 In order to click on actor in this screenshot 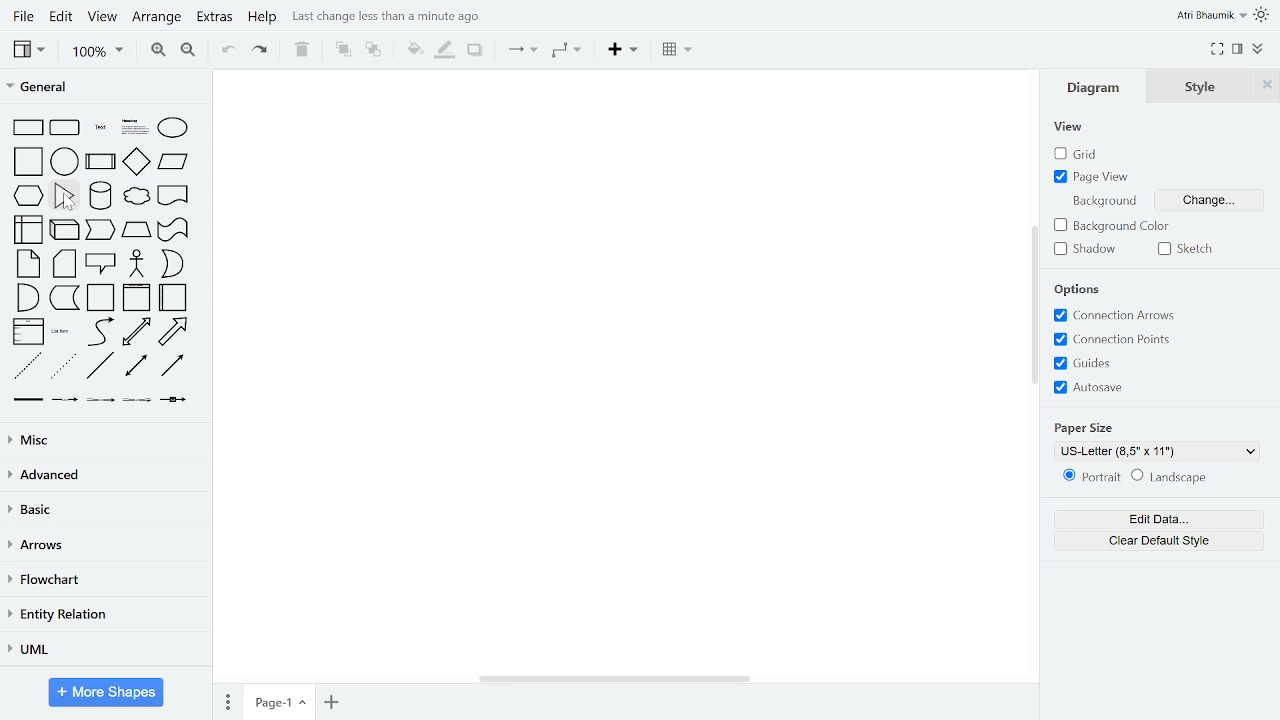, I will do `click(137, 264)`.